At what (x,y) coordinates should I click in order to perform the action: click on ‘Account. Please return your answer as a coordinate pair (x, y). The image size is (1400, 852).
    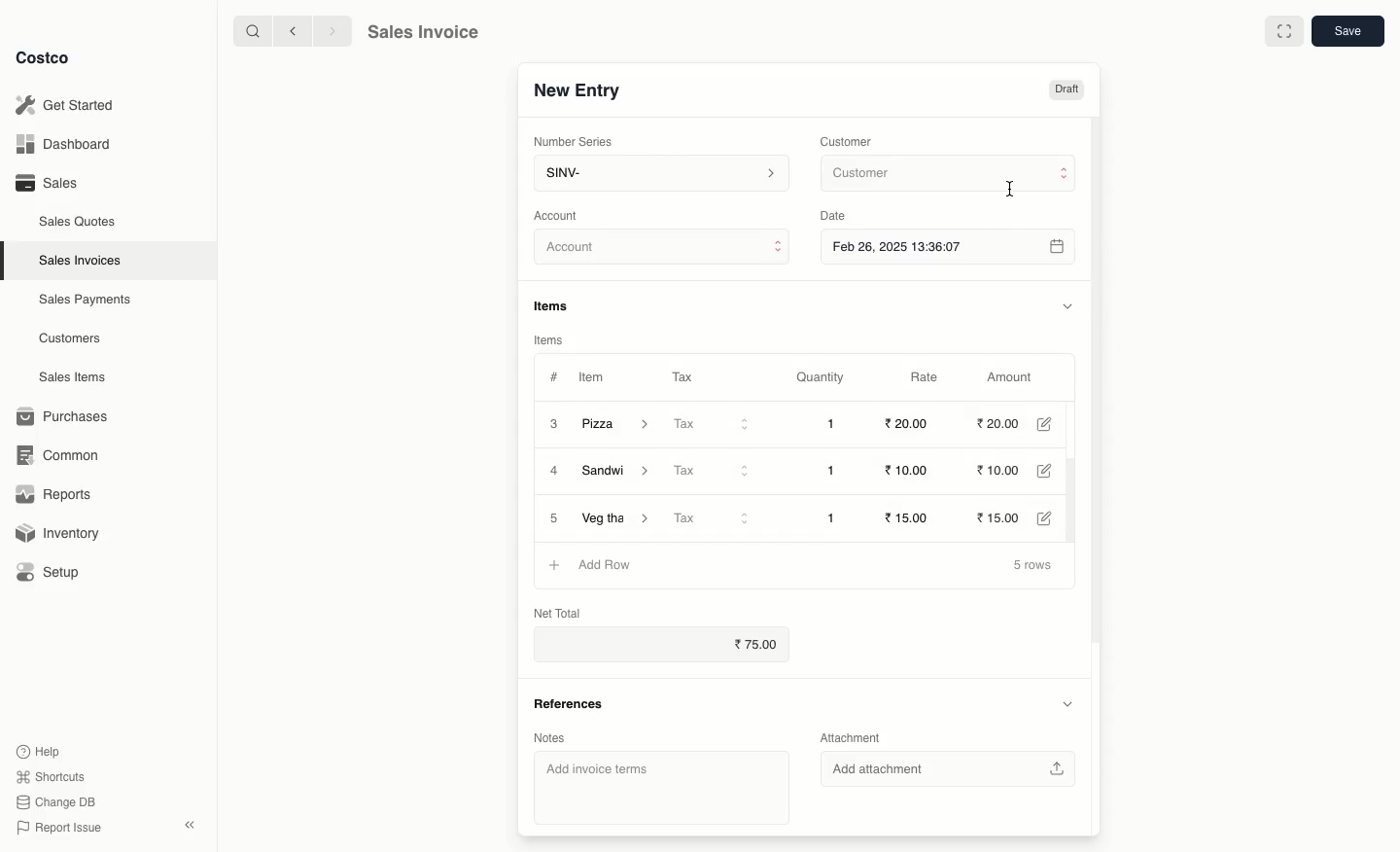
    Looking at the image, I should click on (560, 215).